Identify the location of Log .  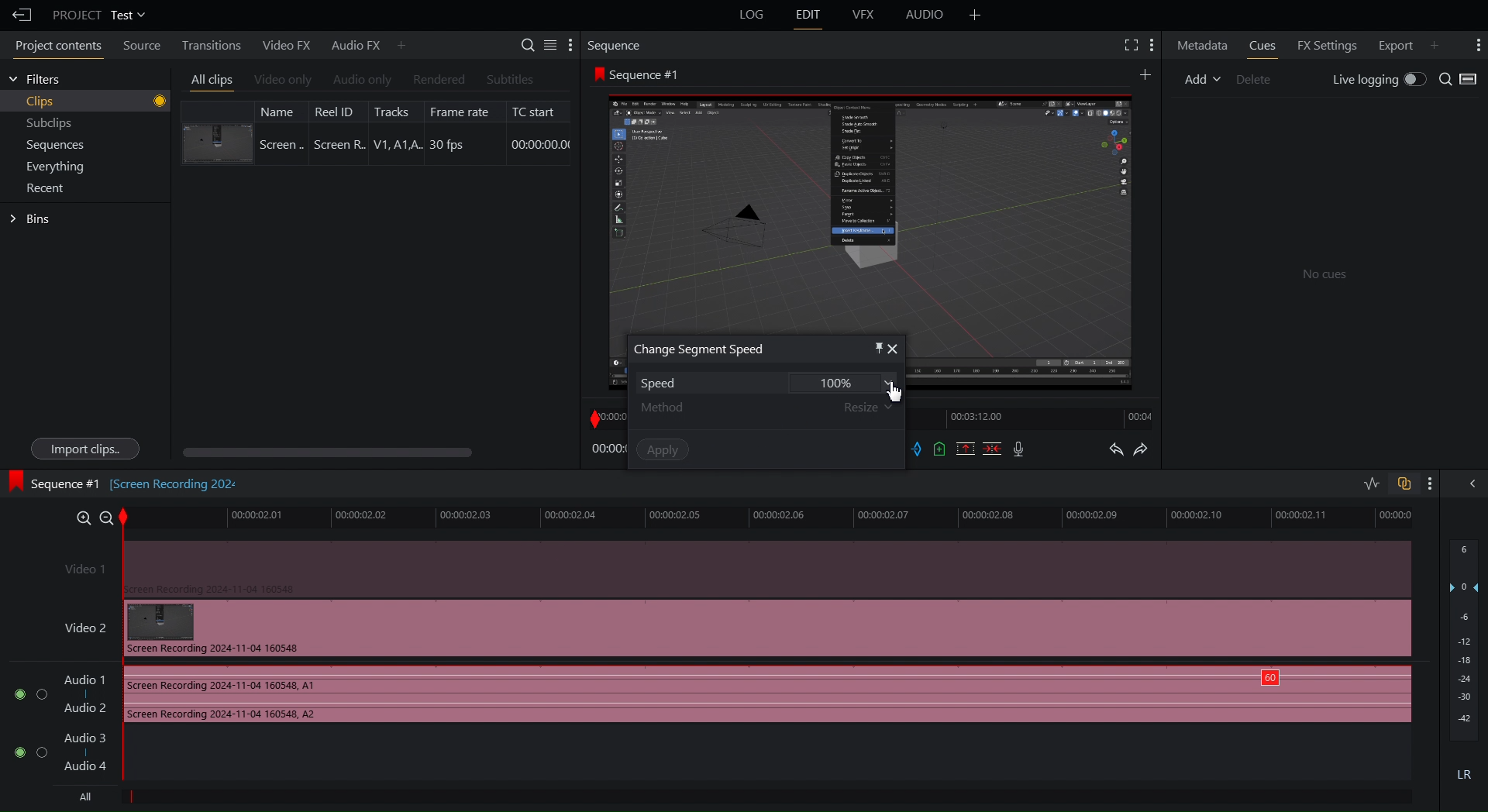
(749, 15).